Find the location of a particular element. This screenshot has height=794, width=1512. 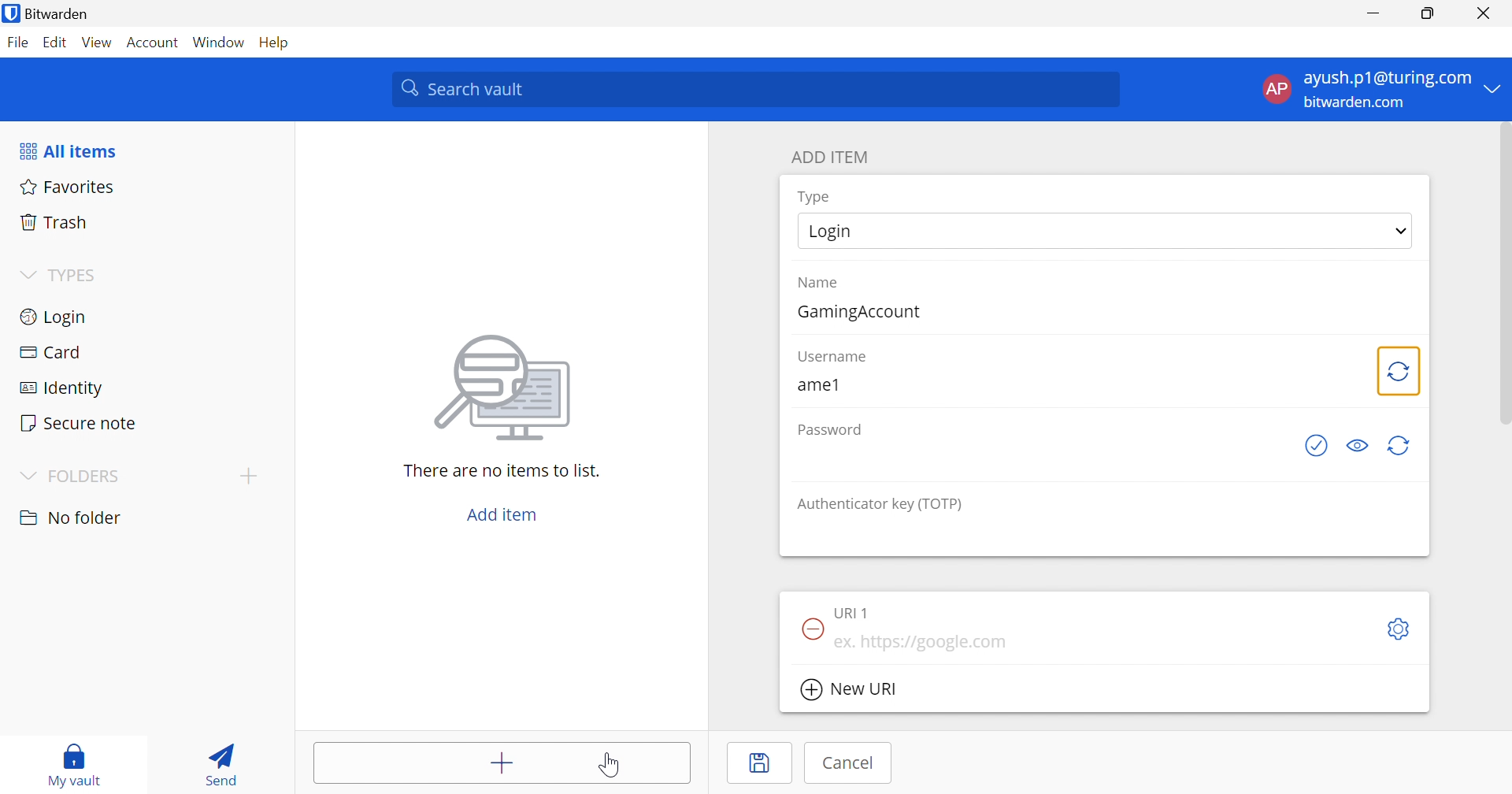

Password is located at coordinates (828, 431).